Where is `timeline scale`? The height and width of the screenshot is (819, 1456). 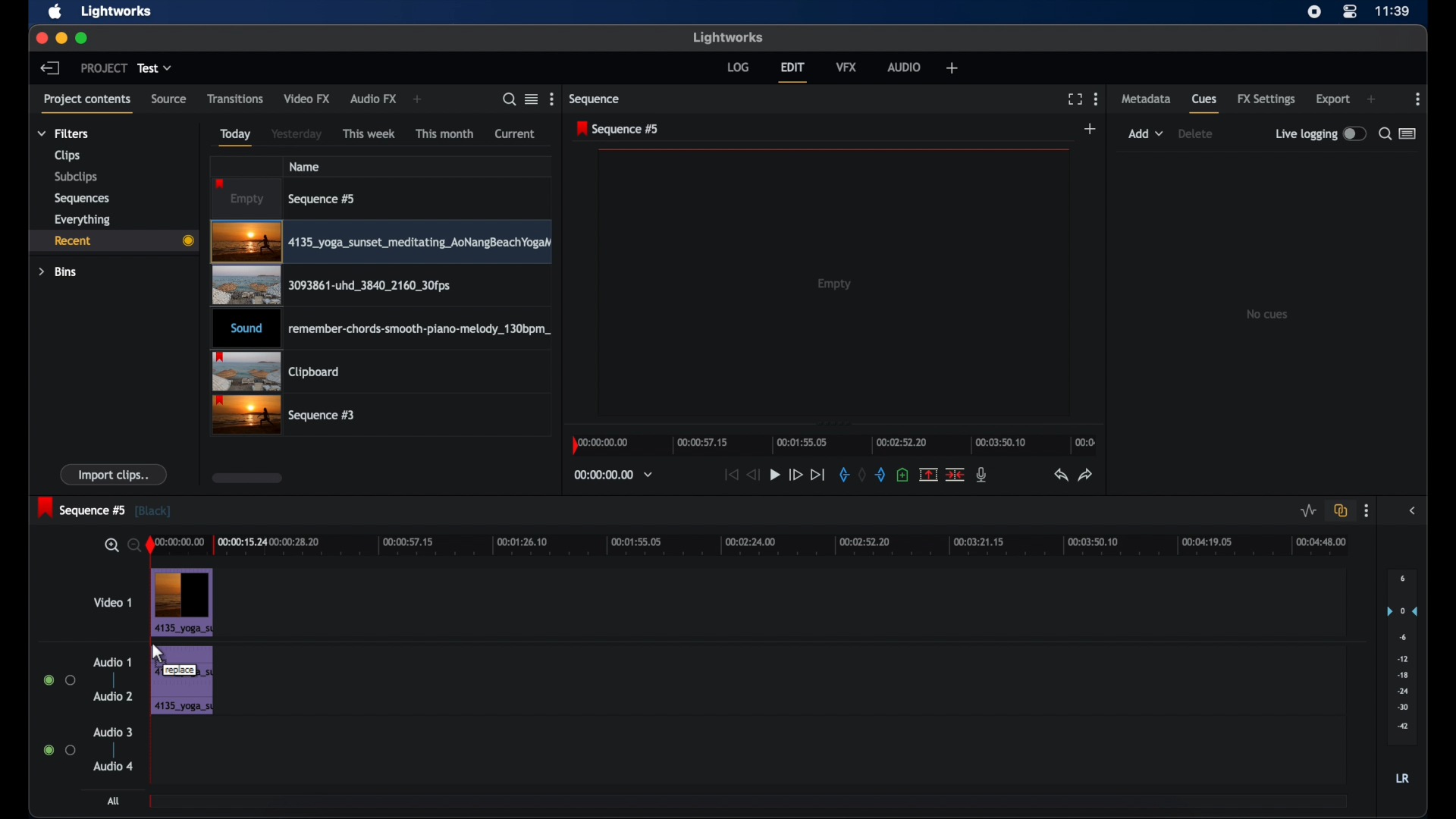
timeline scale is located at coordinates (758, 546).